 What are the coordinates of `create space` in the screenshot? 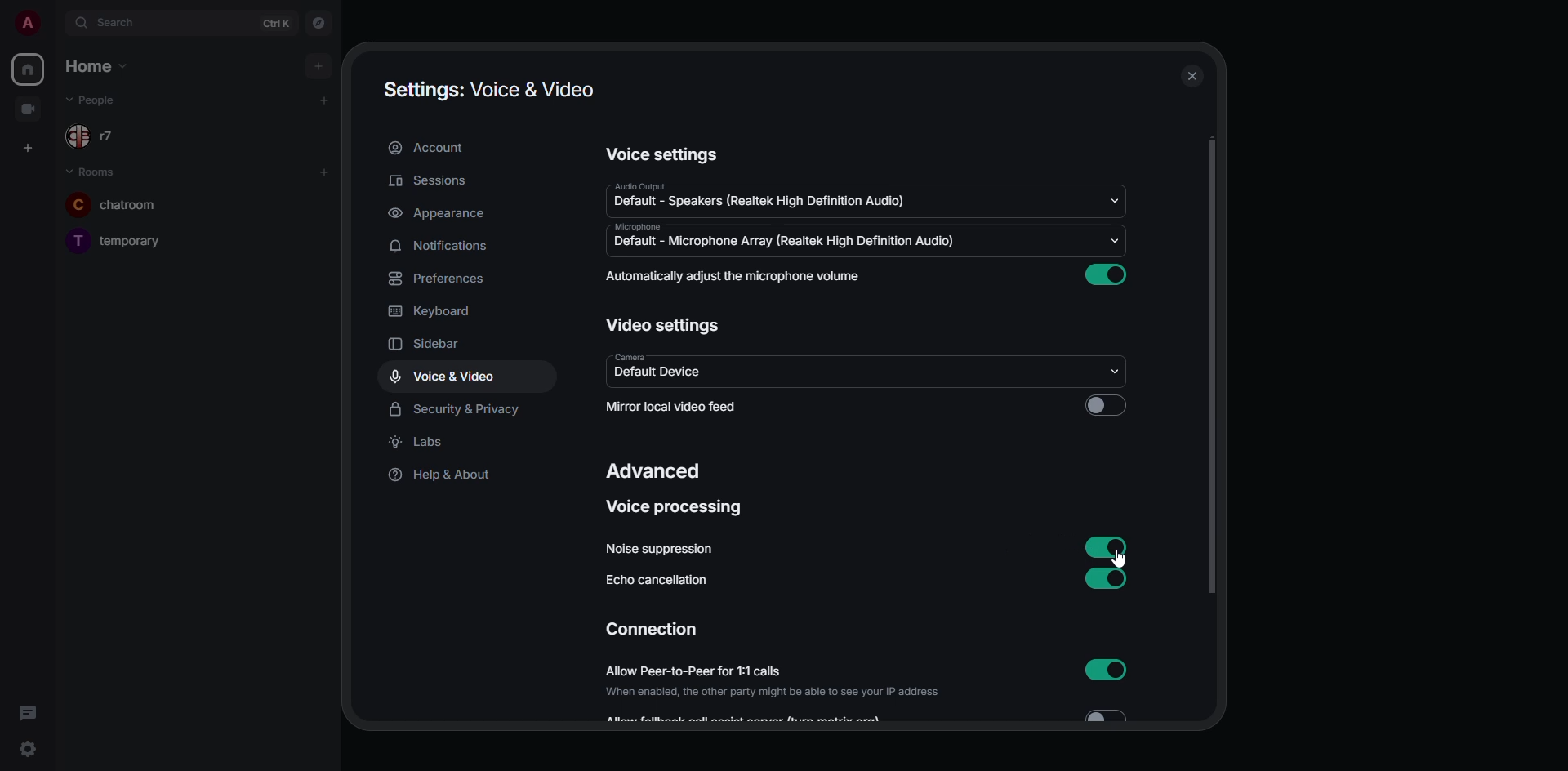 It's located at (26, 146).